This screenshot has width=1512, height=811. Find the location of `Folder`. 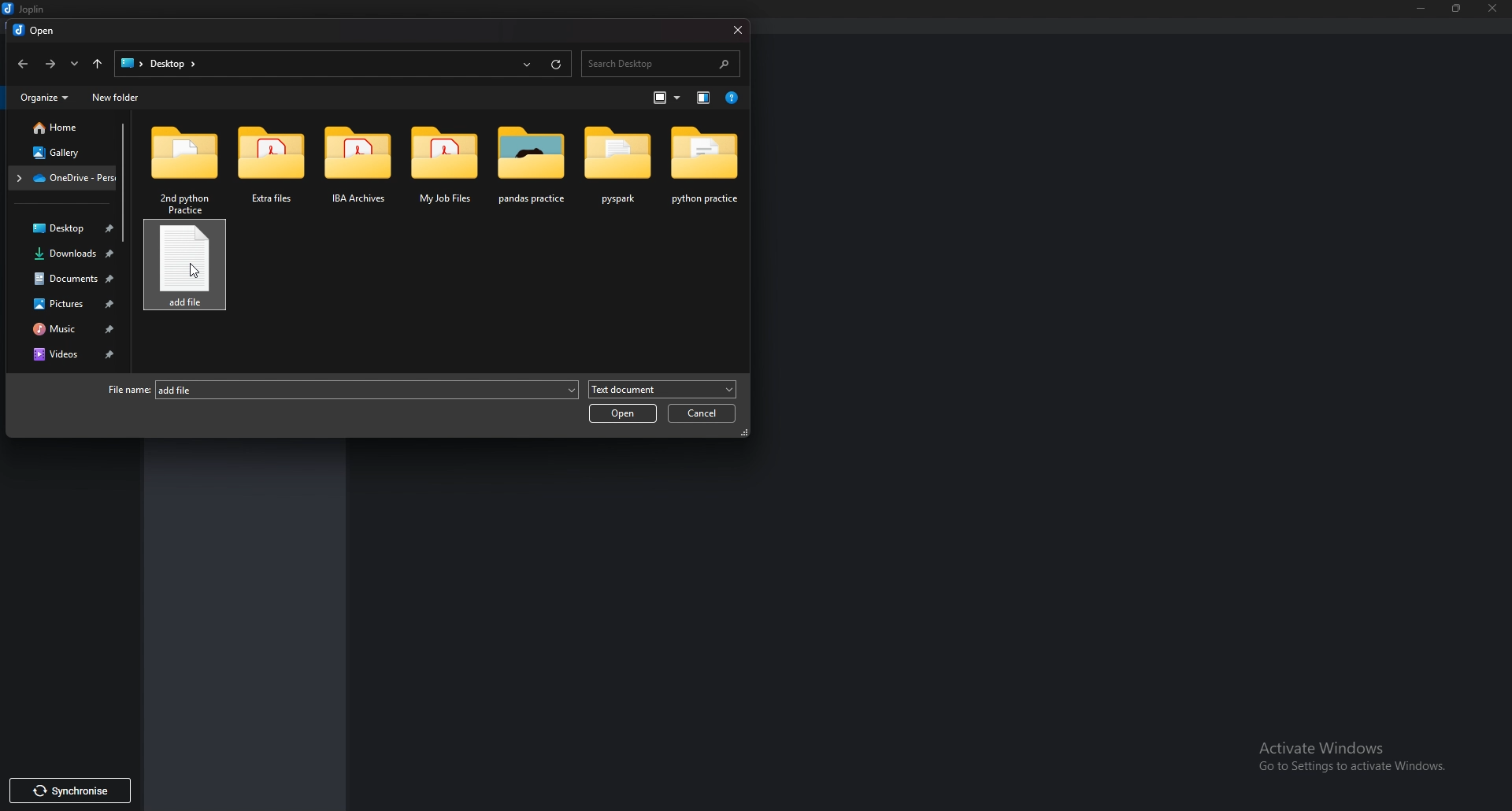

Folder is located at coordinates (358, 168).